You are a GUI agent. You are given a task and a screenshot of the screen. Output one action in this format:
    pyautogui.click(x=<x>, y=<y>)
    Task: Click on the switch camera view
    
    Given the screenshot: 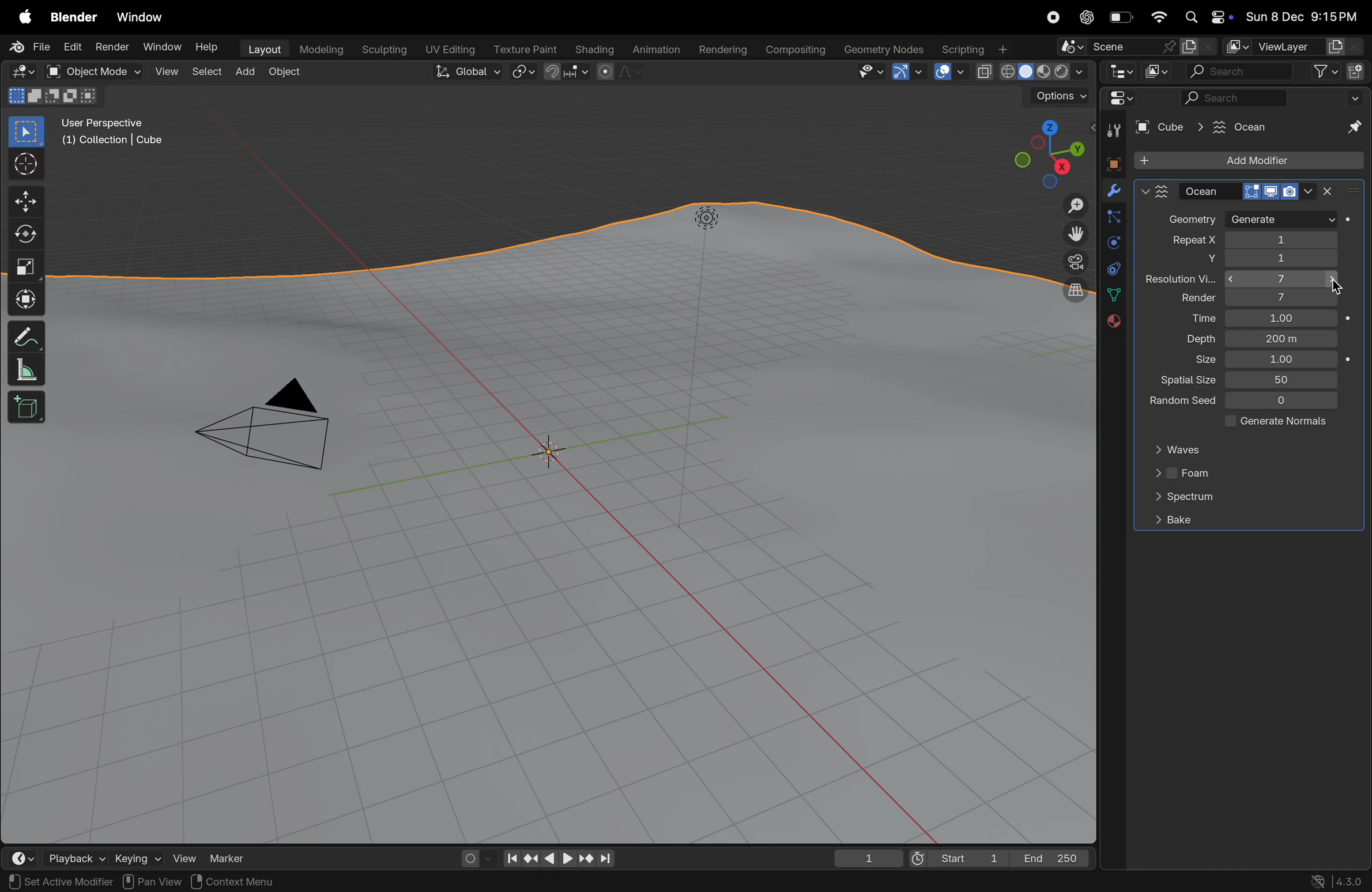 What is the action you would take?
    pyautogui.click(x=1071, y=261)
    